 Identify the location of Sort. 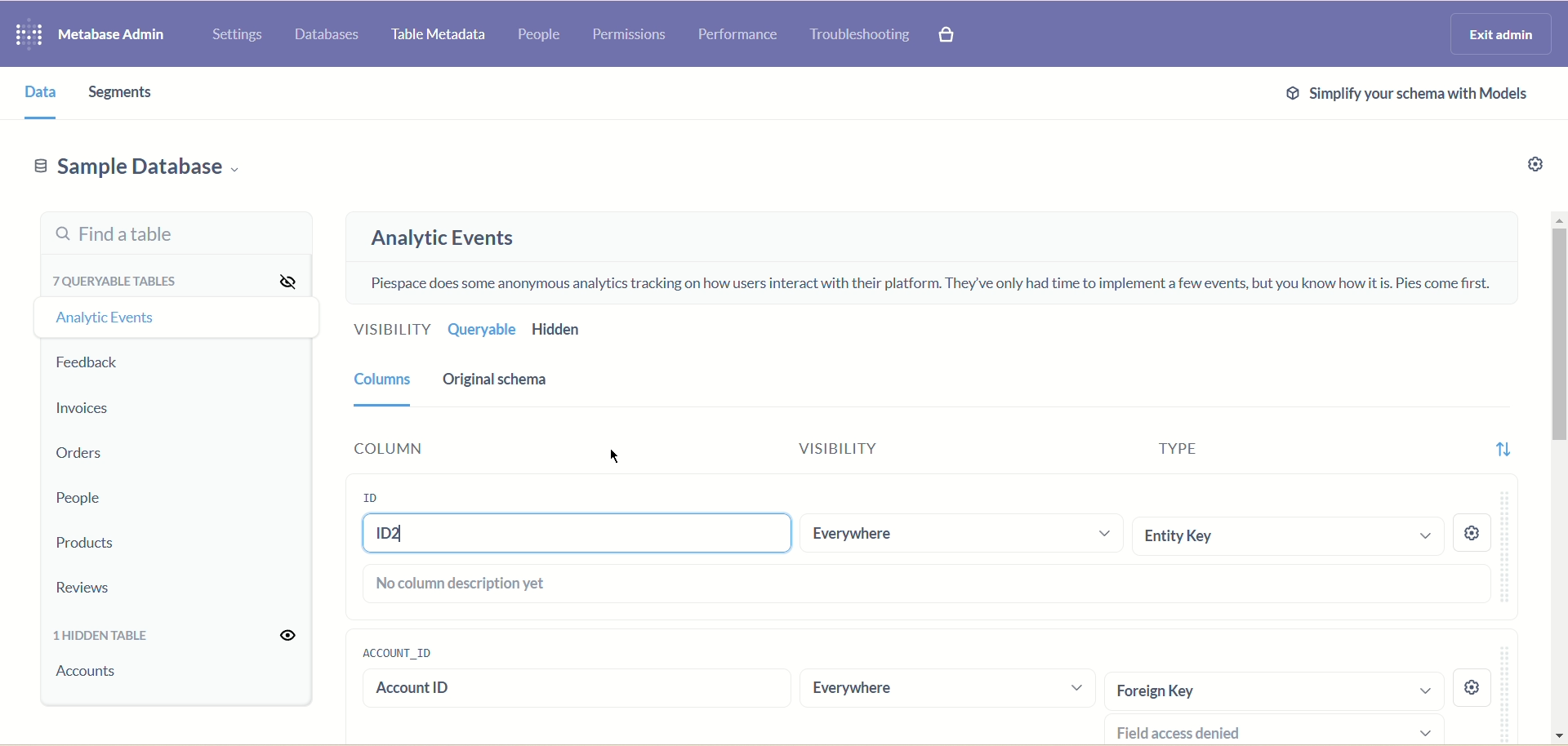
(1506, 446).